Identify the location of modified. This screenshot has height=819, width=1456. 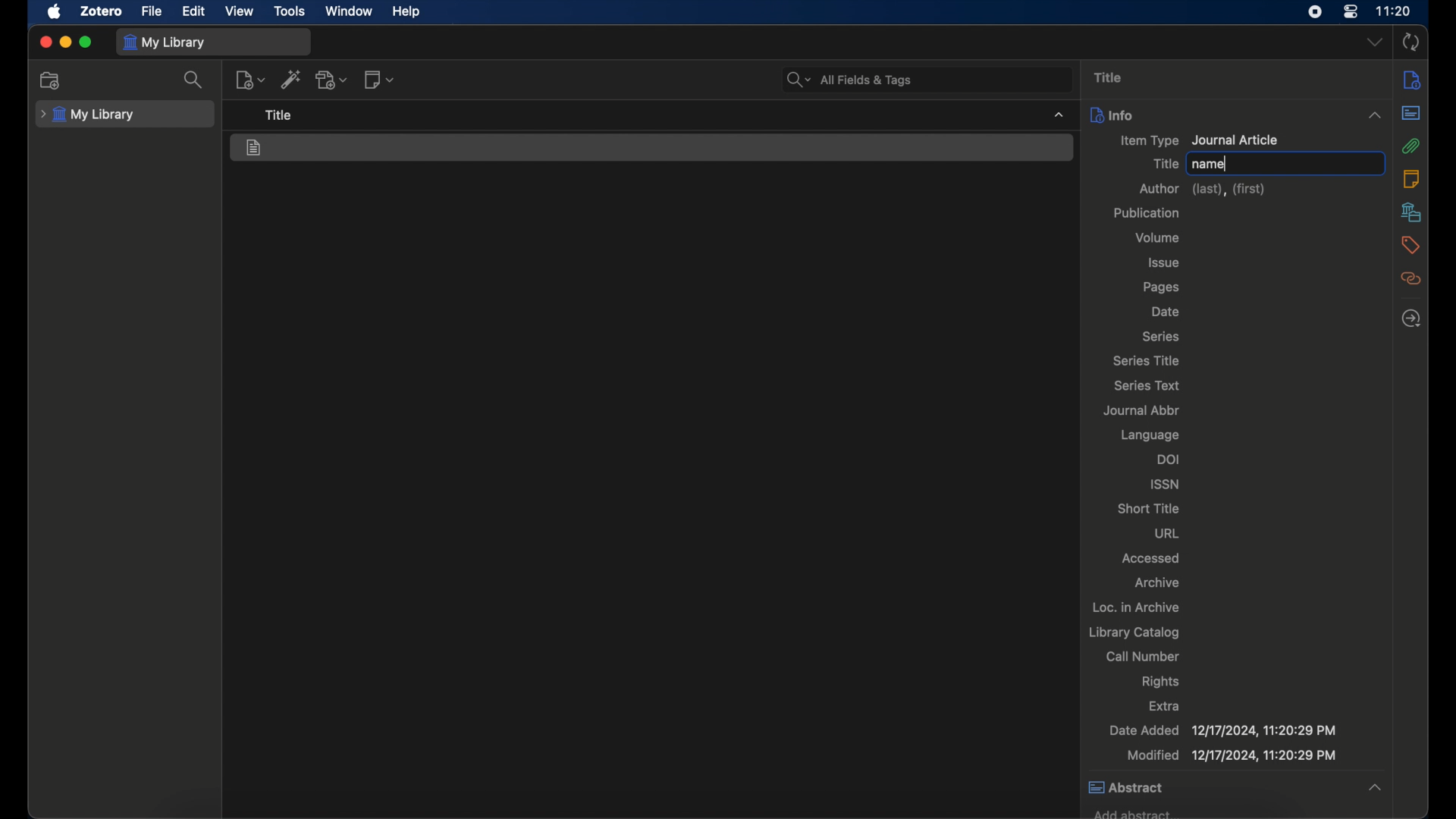
(1234, 755).